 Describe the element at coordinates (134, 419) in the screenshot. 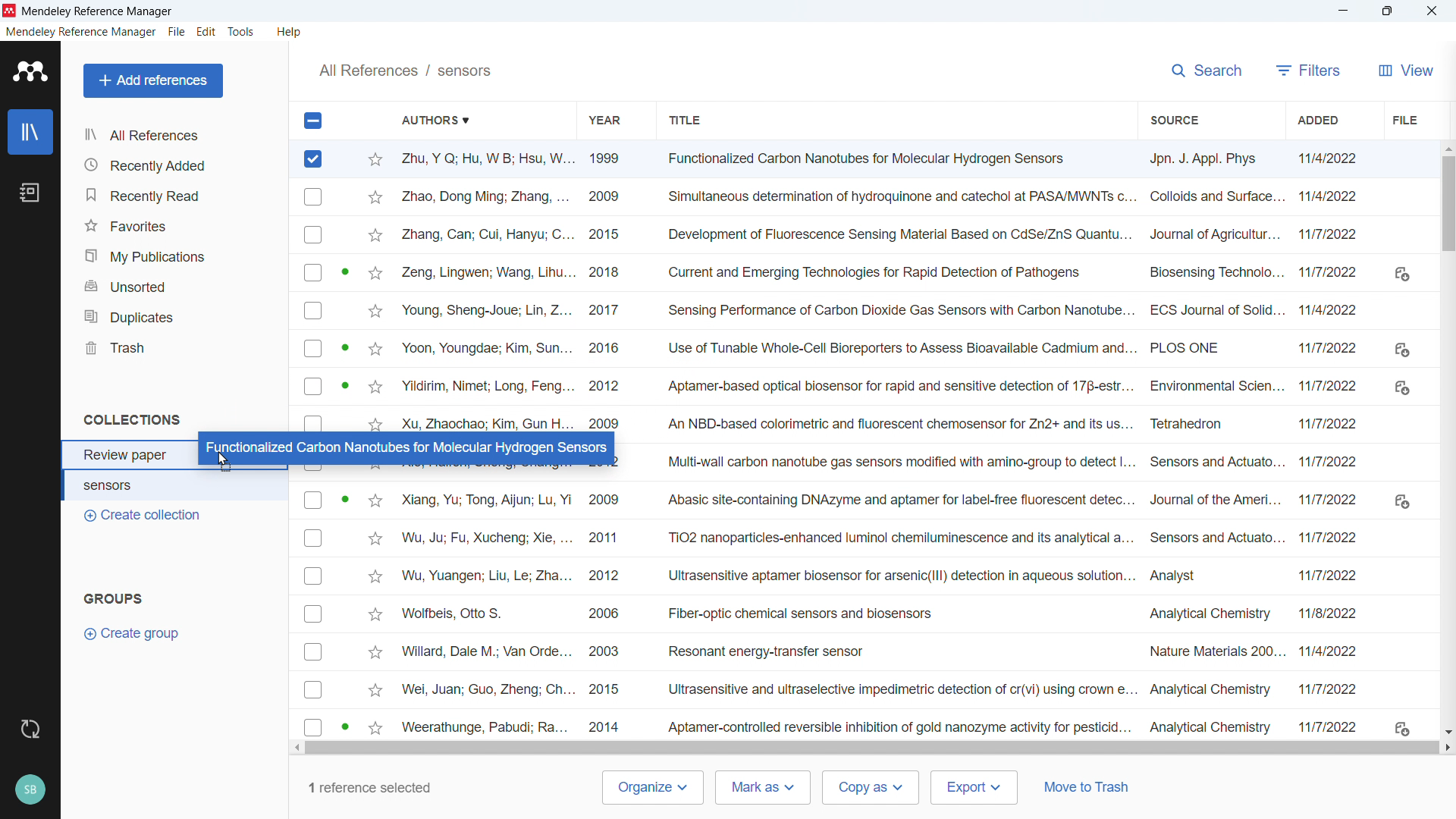

I see `Collections ` at that location.